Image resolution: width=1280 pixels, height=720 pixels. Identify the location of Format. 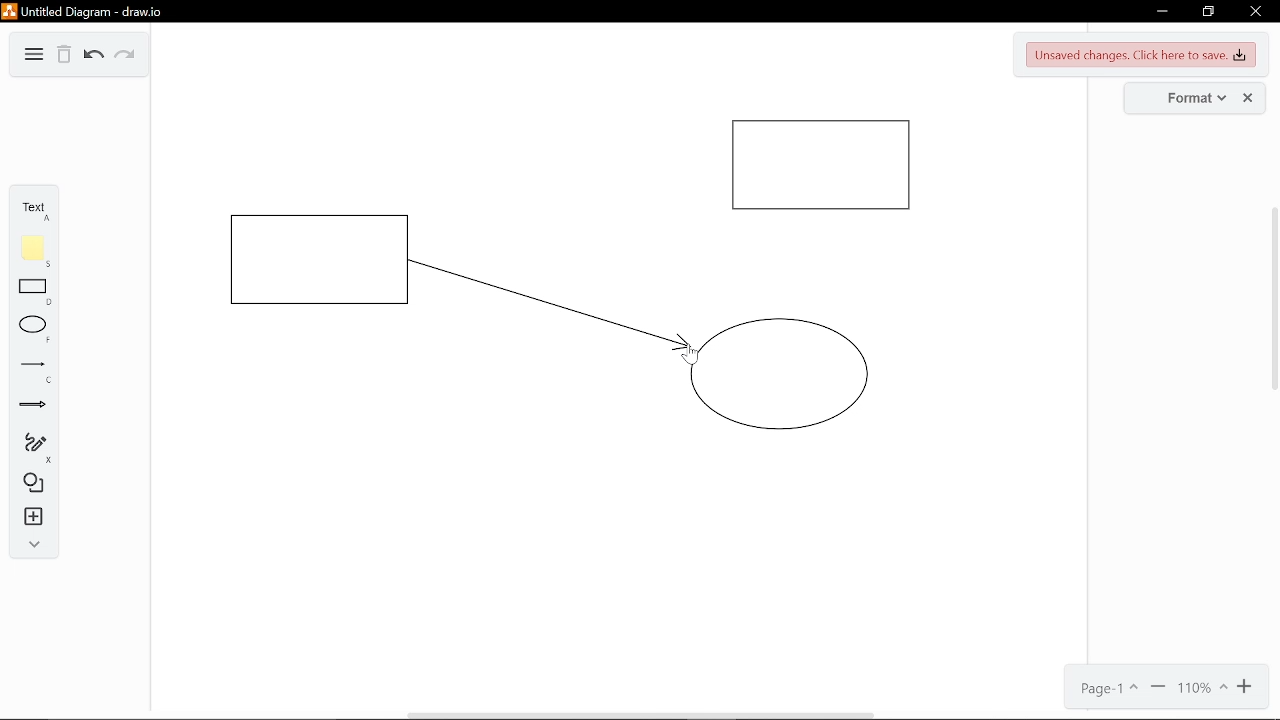
(1178, 97).